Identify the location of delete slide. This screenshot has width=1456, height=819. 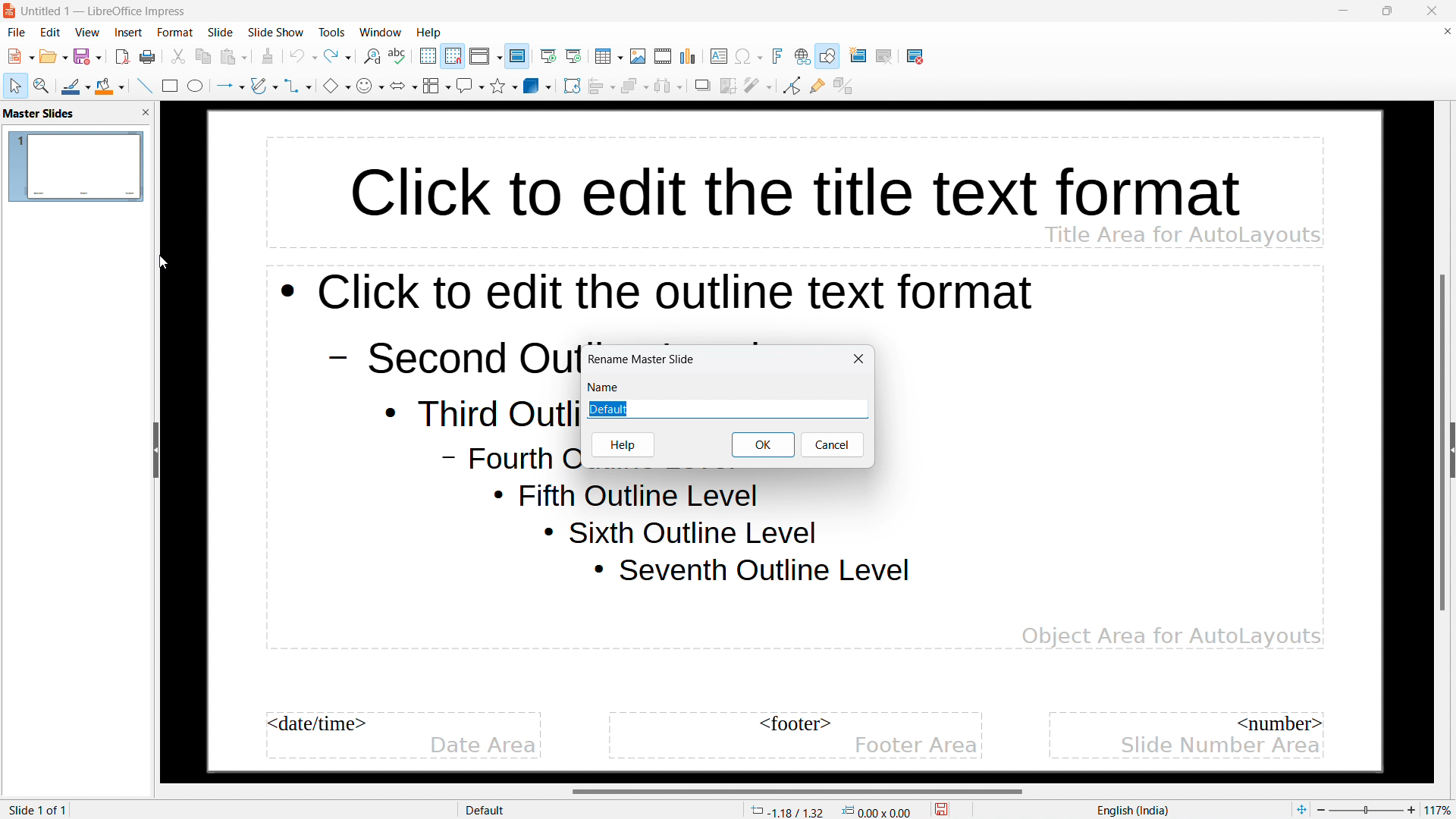
(915, 58).